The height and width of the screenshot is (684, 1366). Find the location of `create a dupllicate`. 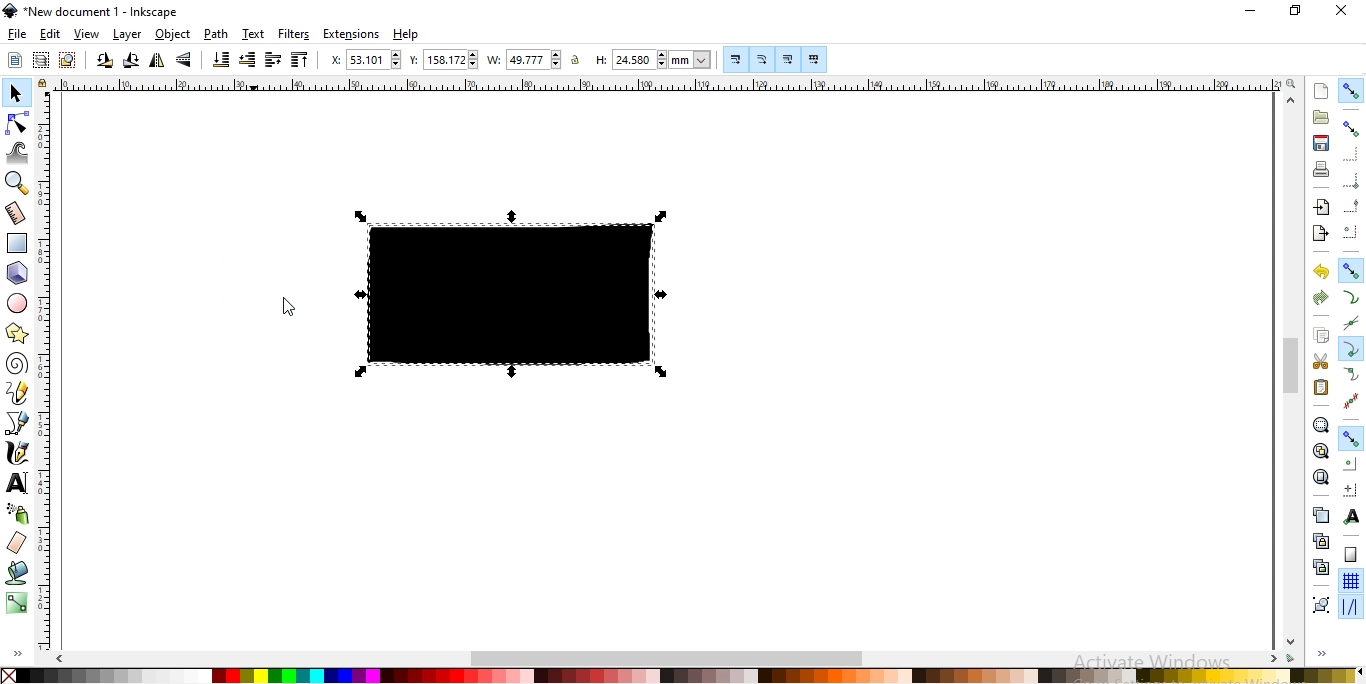

create a dupllicate is located at coordinates (1320, 515).